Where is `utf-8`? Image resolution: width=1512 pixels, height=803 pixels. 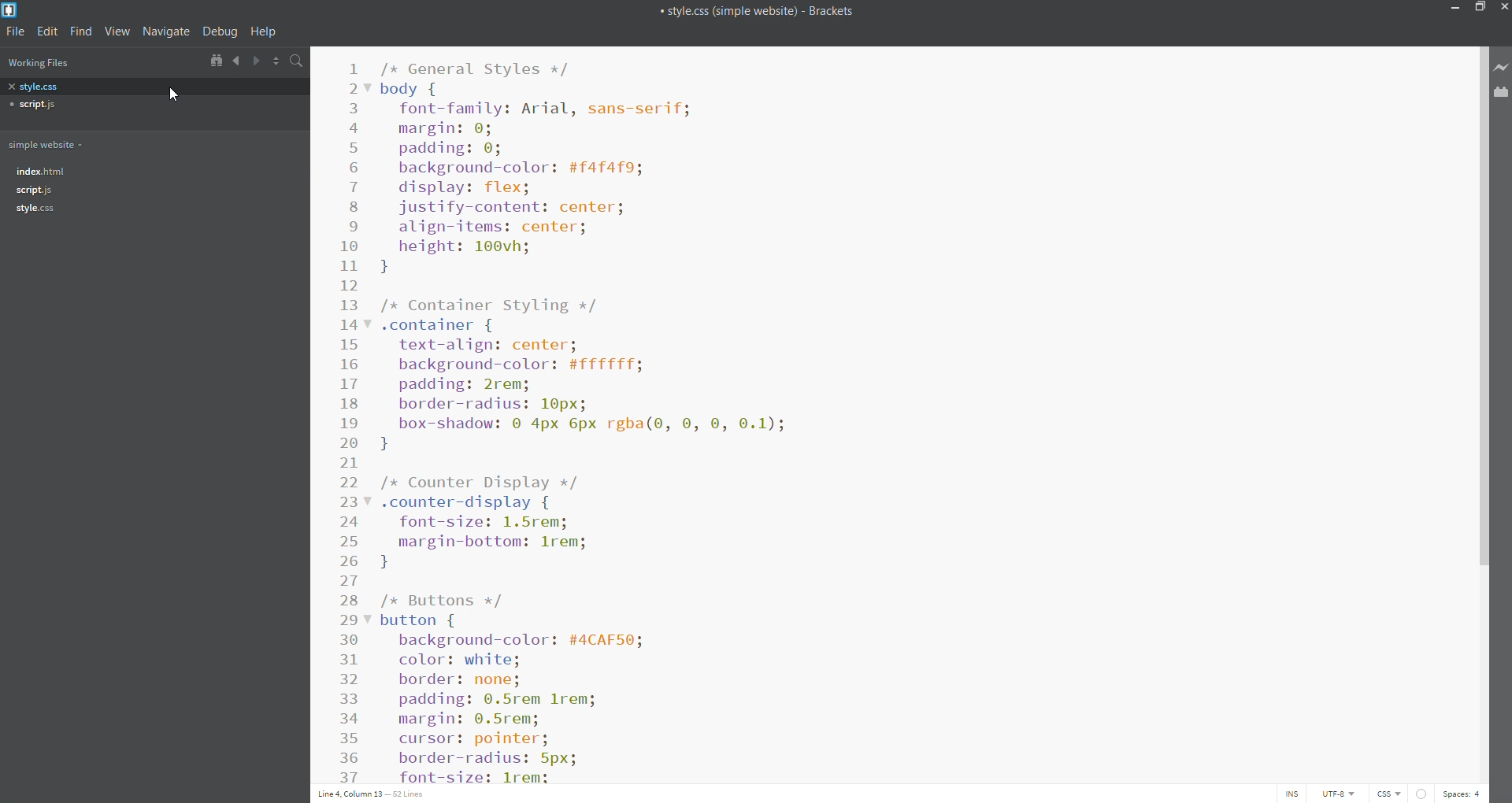
utf-8 is located at coordinates (1337, 793).